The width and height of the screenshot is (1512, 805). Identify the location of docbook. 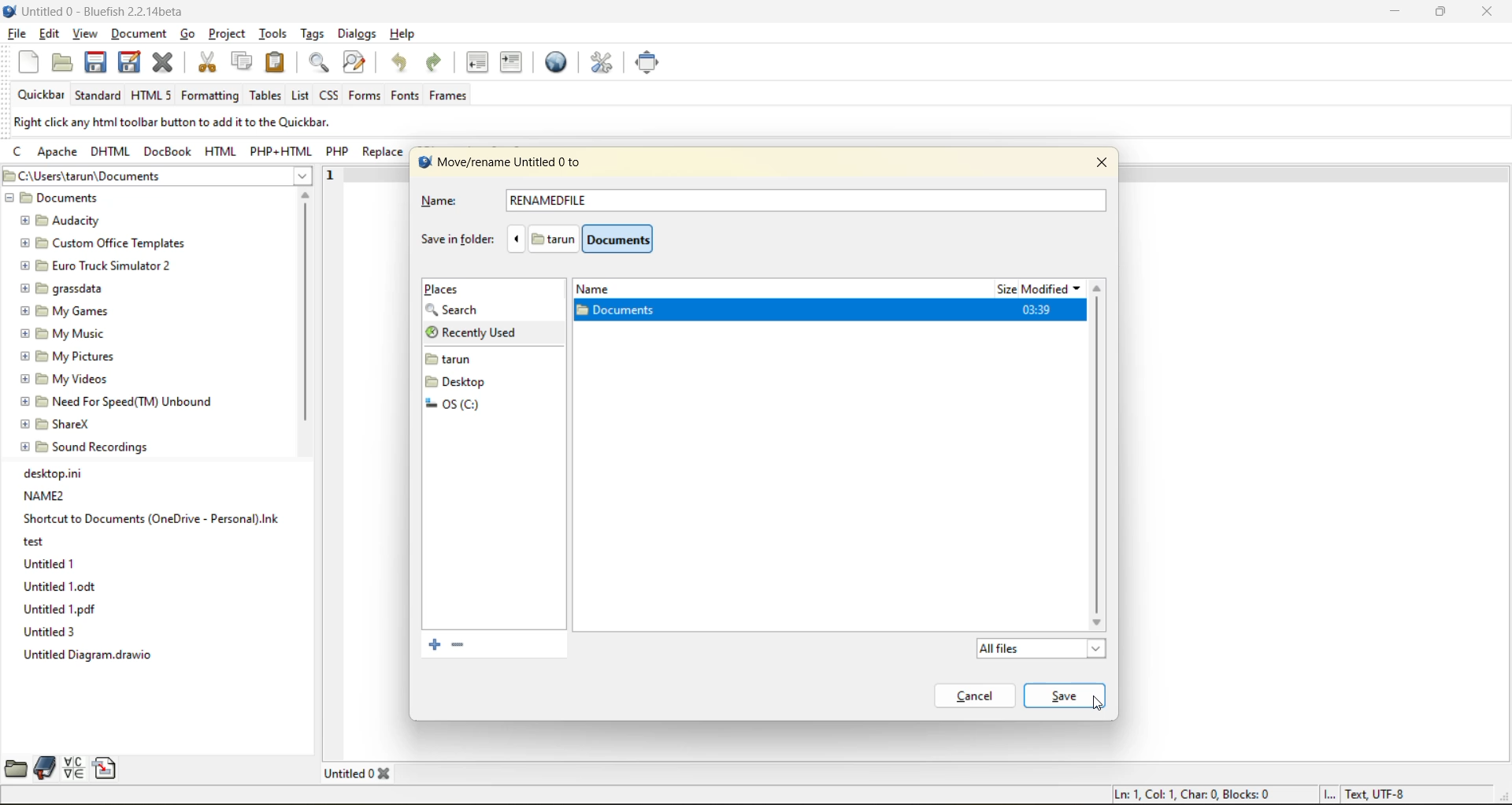
(169, 150).